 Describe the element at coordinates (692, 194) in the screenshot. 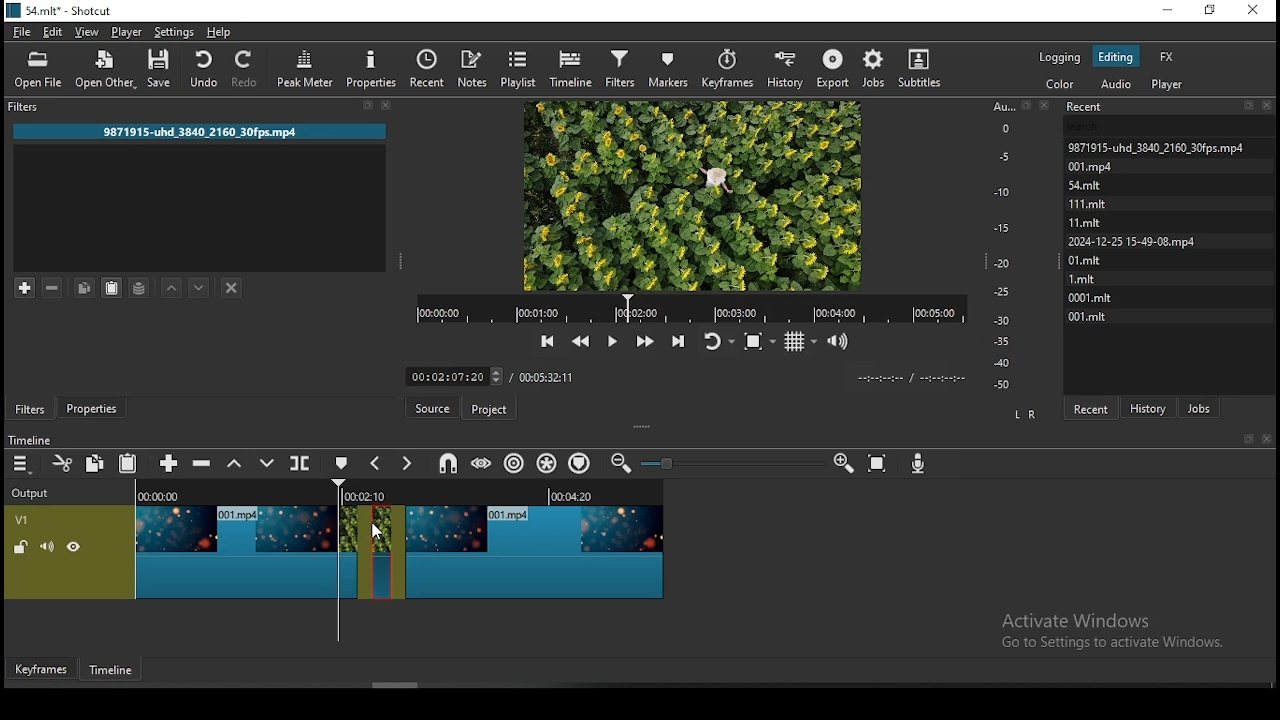

I see `preview` at that location.